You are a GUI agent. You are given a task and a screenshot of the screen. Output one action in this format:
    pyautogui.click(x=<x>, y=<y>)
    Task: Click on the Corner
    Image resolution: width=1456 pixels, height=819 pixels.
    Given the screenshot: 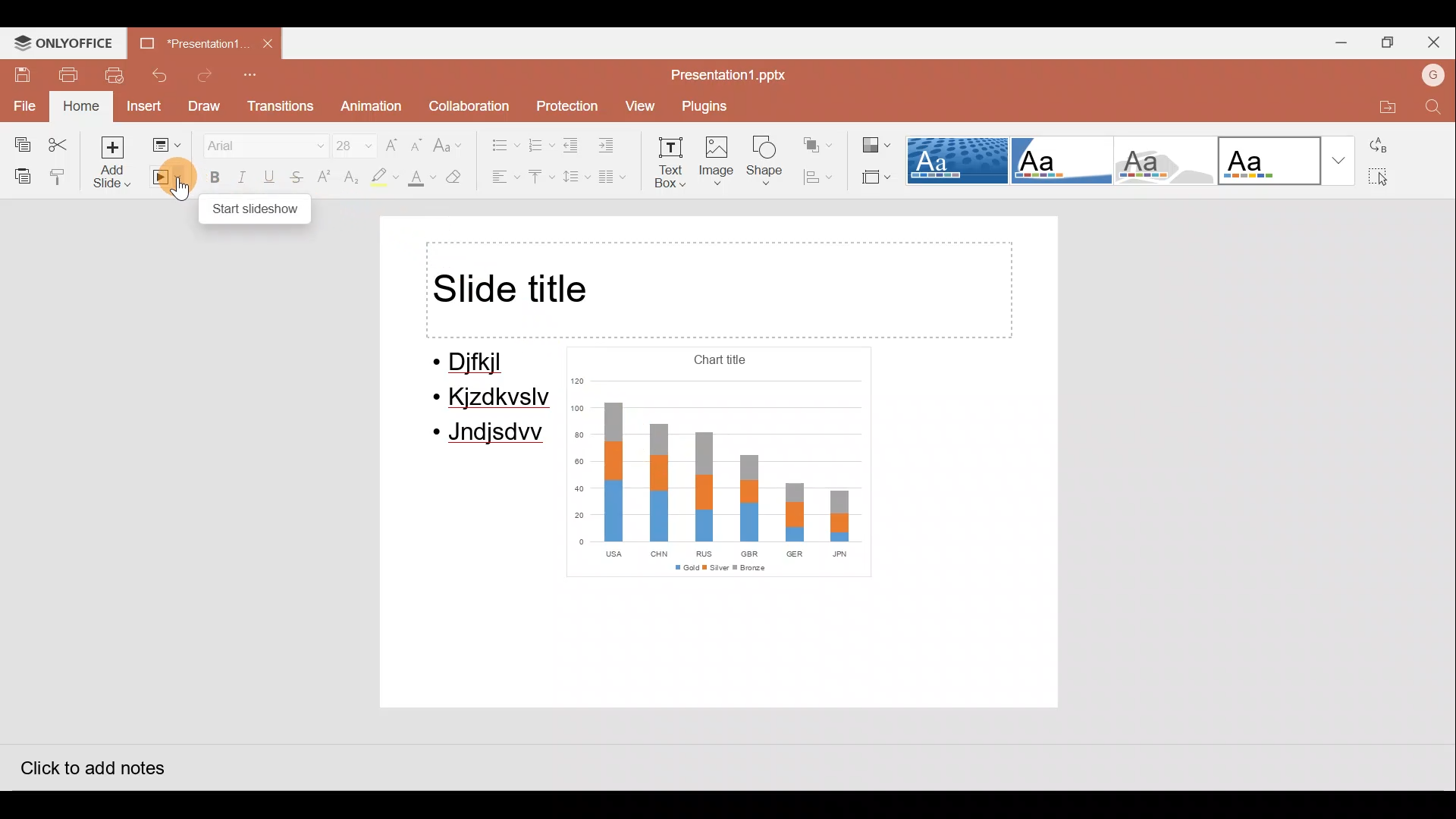 What is the action you would take?
    pyautogui.click(x=1059, y=159)
    